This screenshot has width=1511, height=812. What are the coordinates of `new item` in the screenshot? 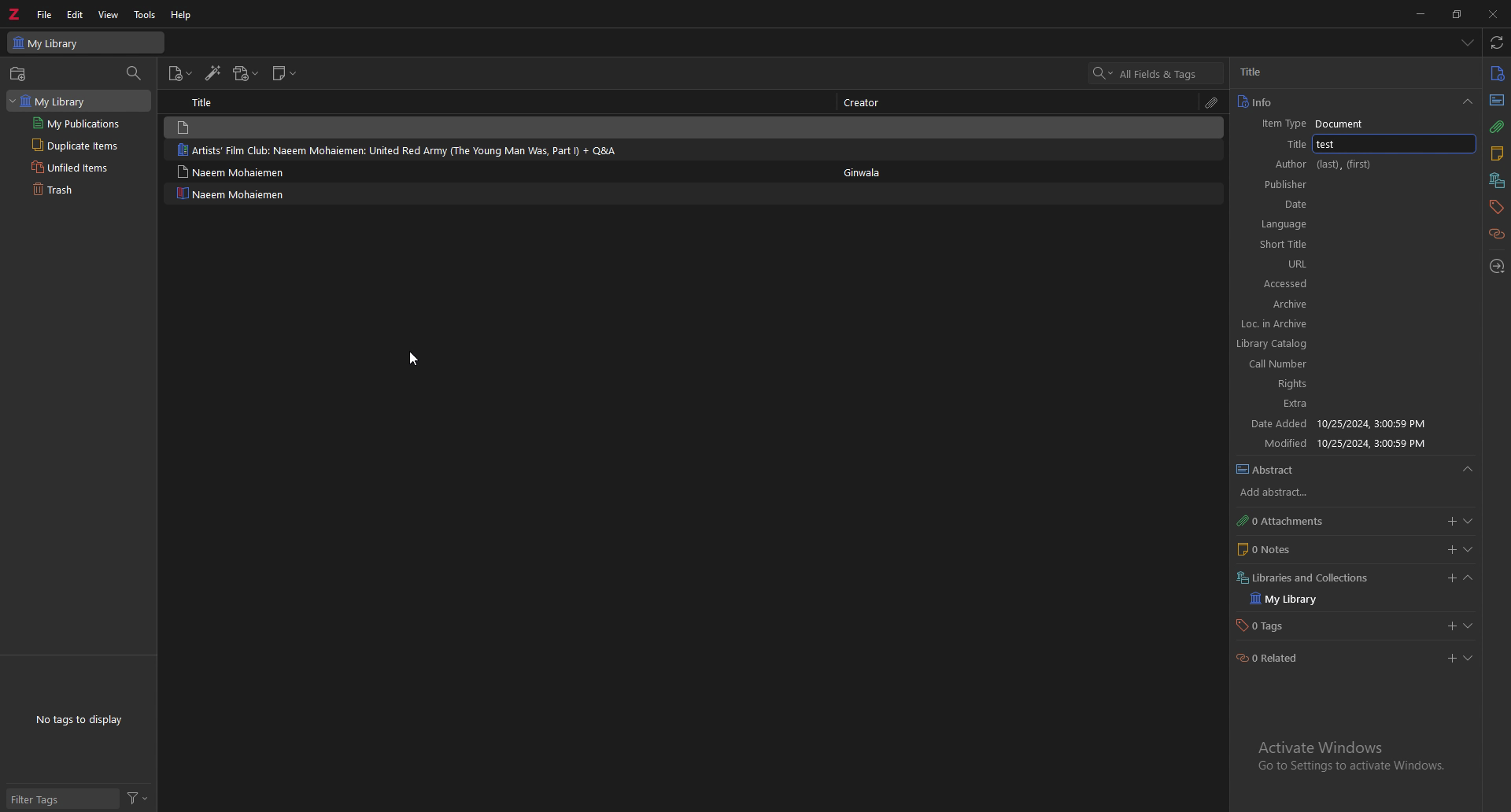 It's located at (181, 74).